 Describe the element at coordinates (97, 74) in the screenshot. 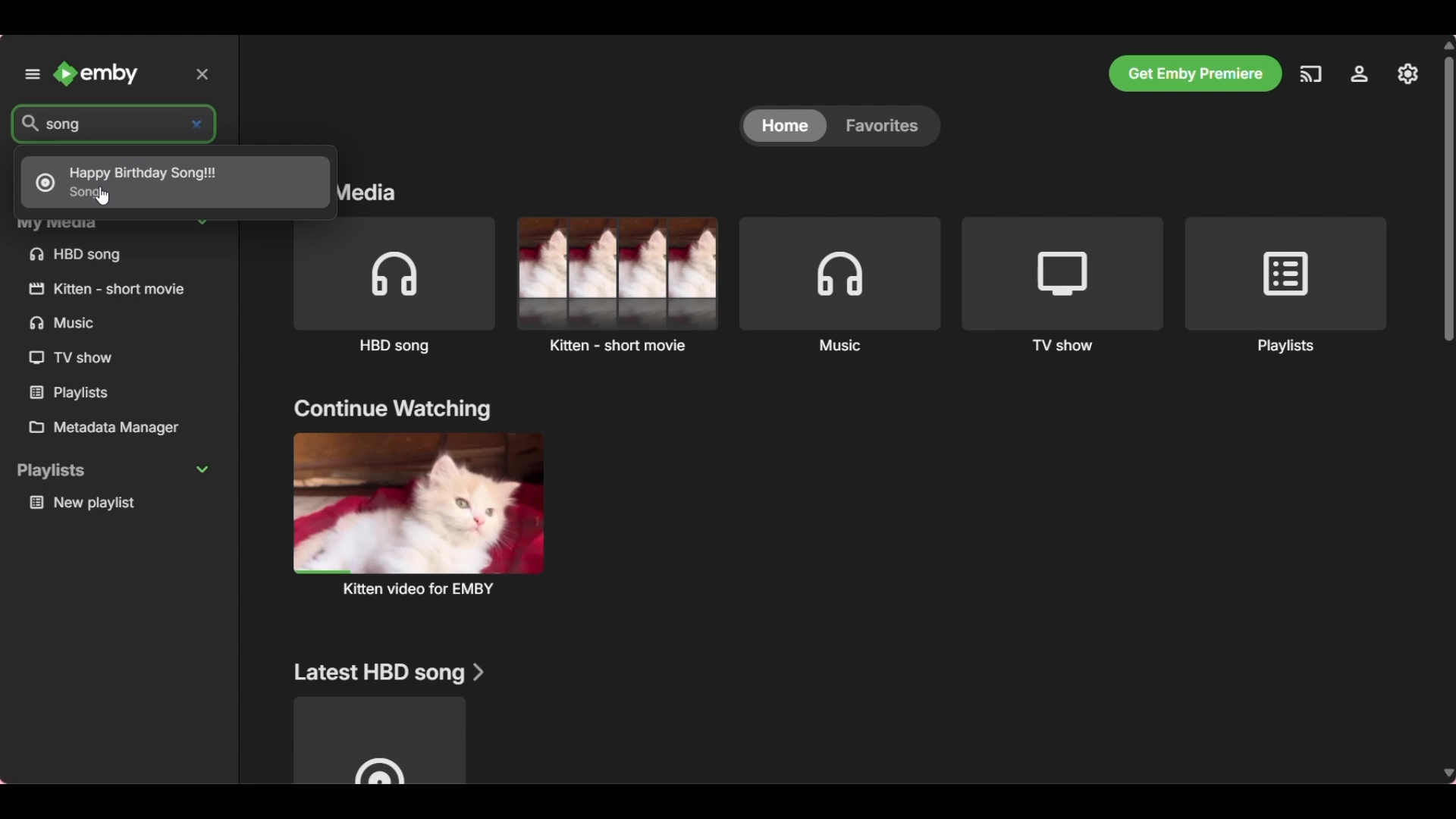

I see ` Emby` at that location.